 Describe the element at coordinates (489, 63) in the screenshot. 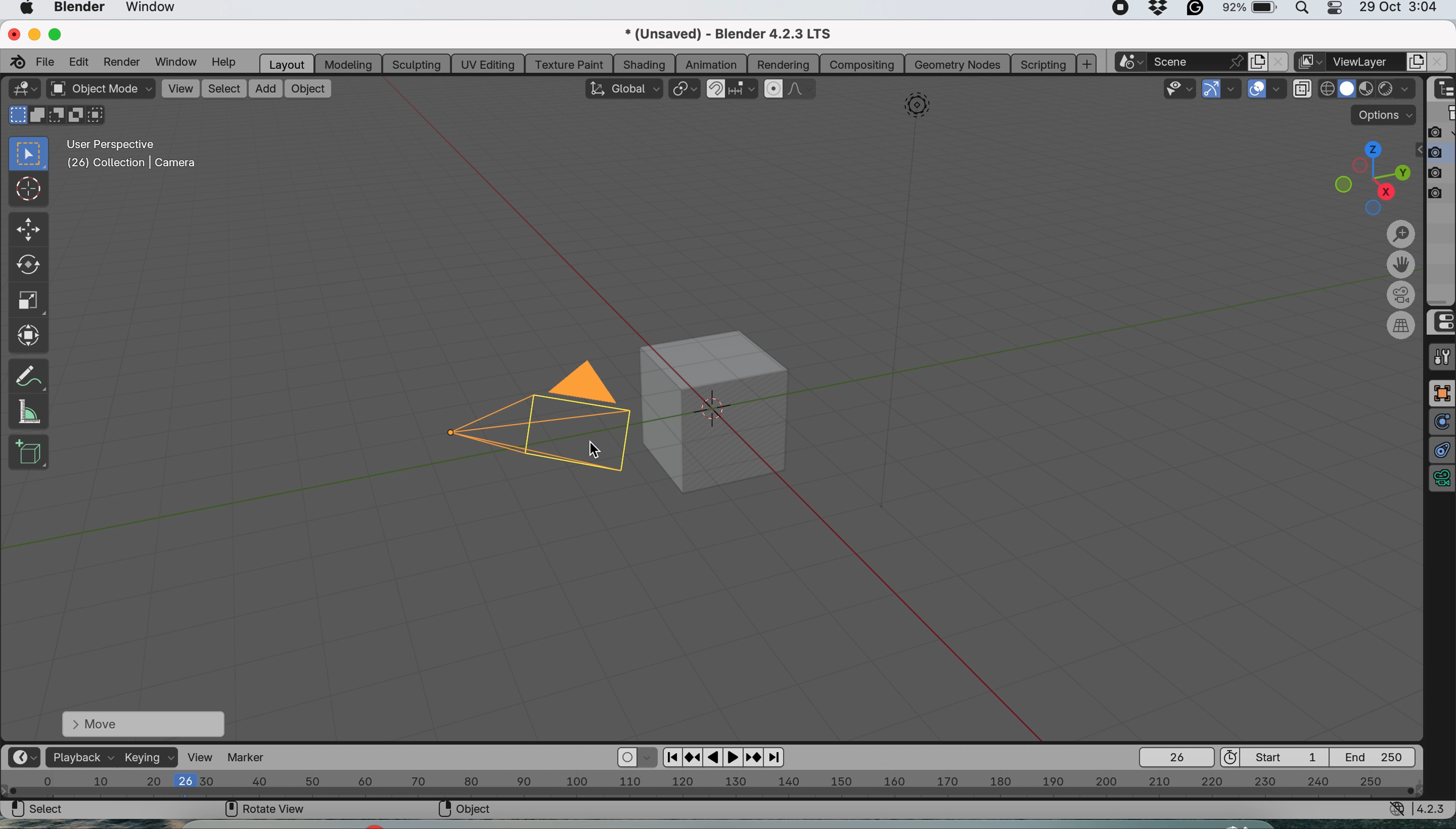

I see `uv editing` at that location.